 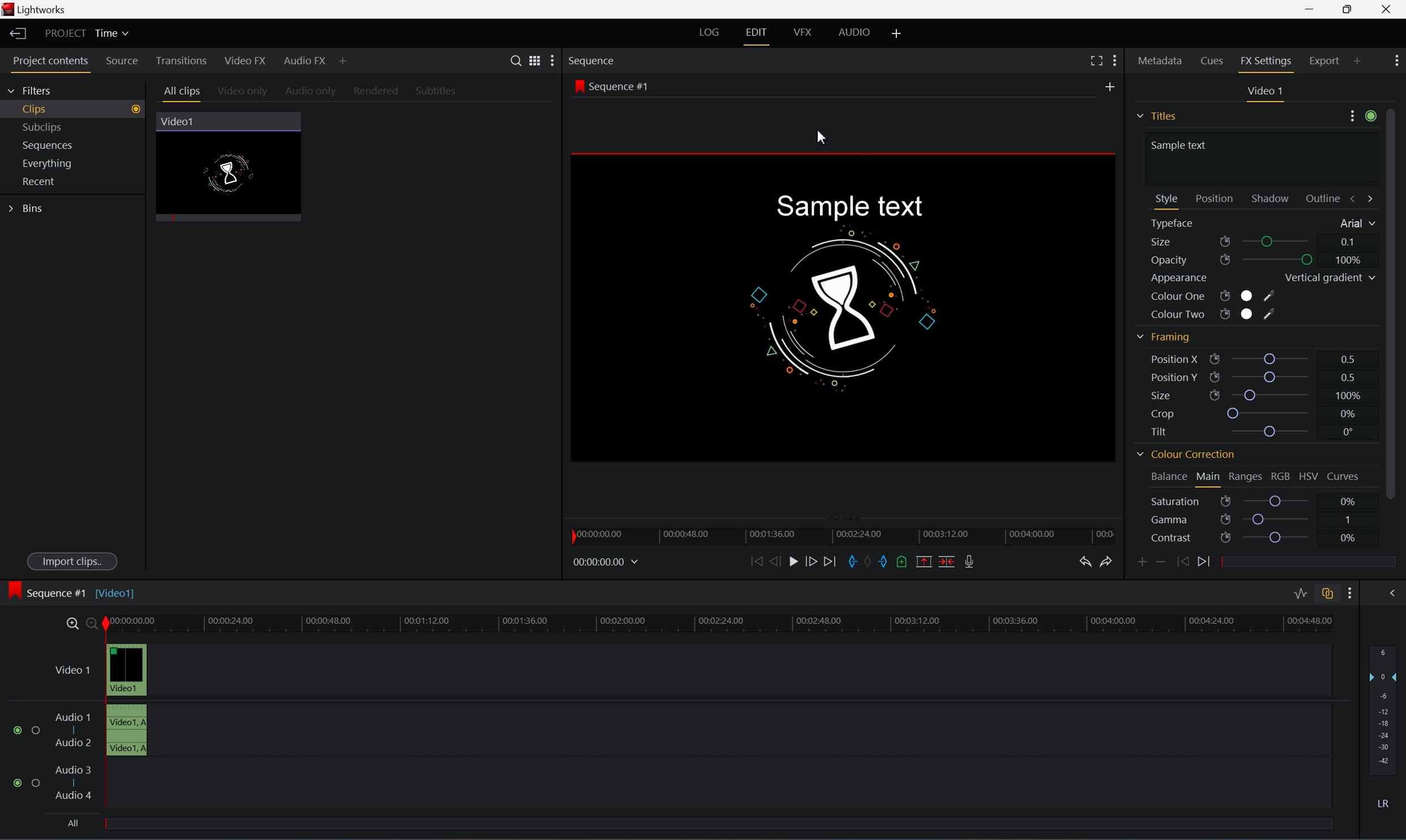 I want to click on Clips, so click(x=79, y=108).